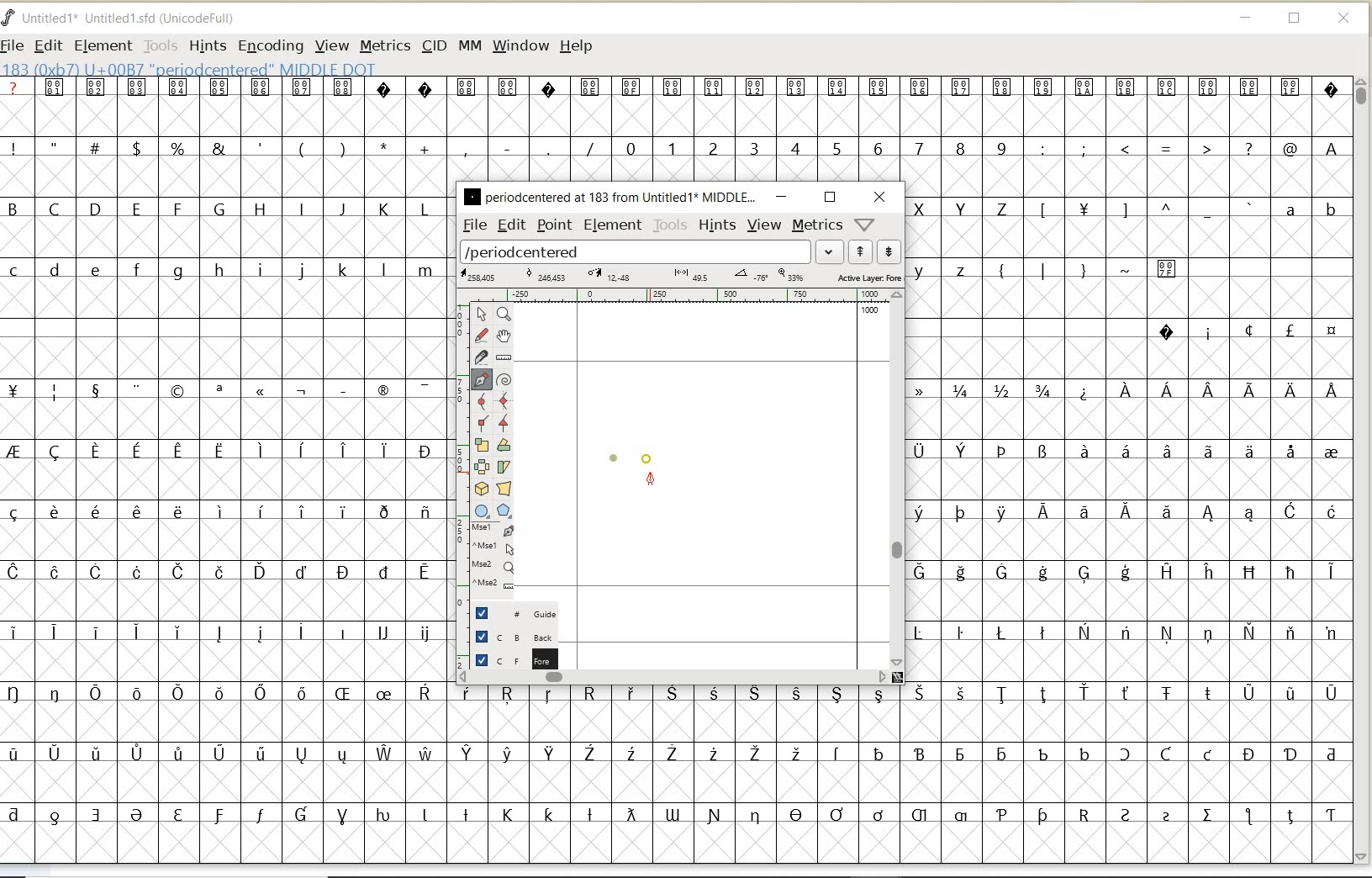 Image resolution: width=1372 pixels, height=878 pixels. I want to click on minimize, so click(781, 197).